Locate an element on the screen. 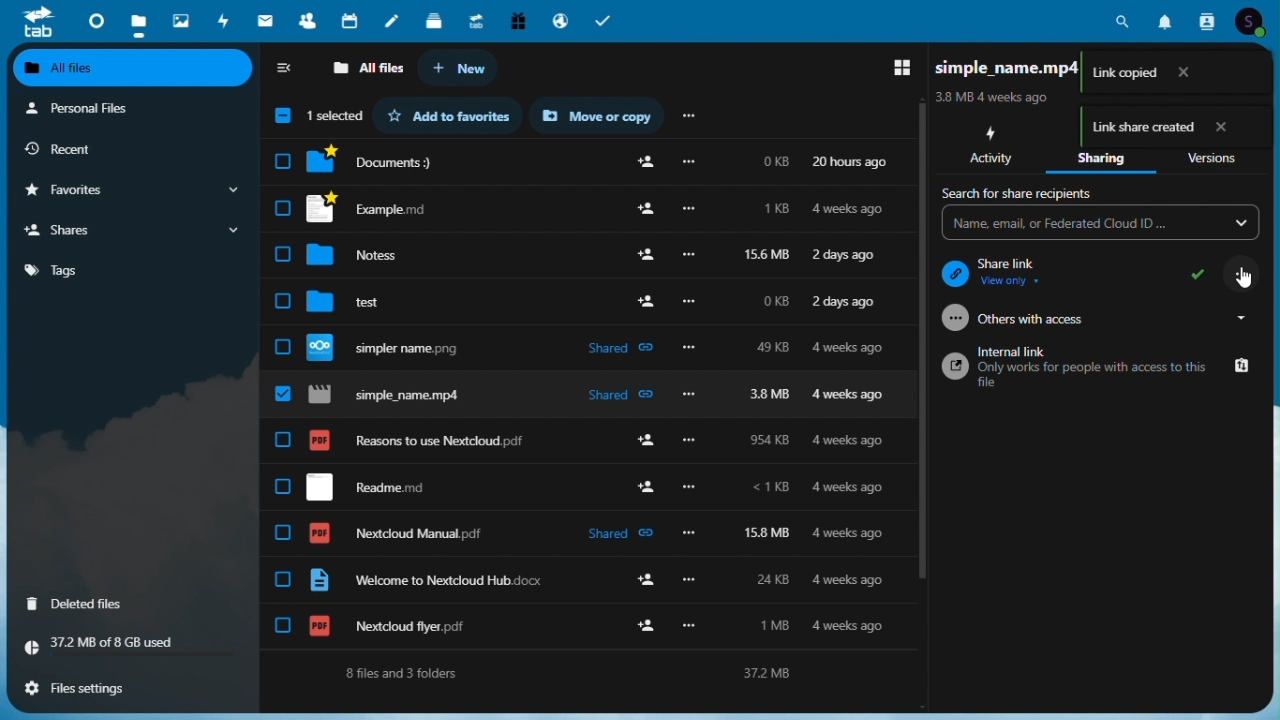  Share is located at coordinates (134, 231).